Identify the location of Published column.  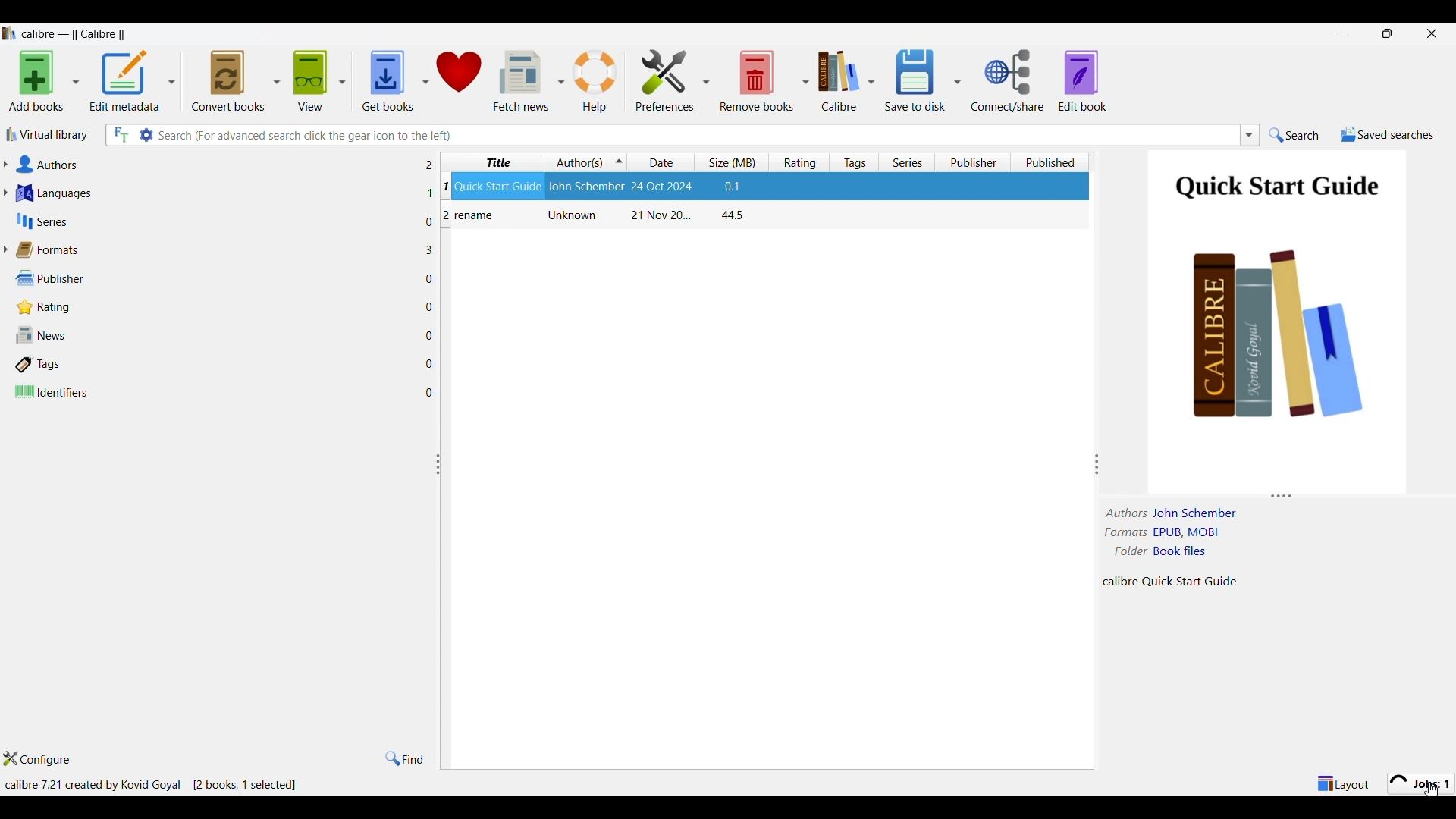
(1052, 162).